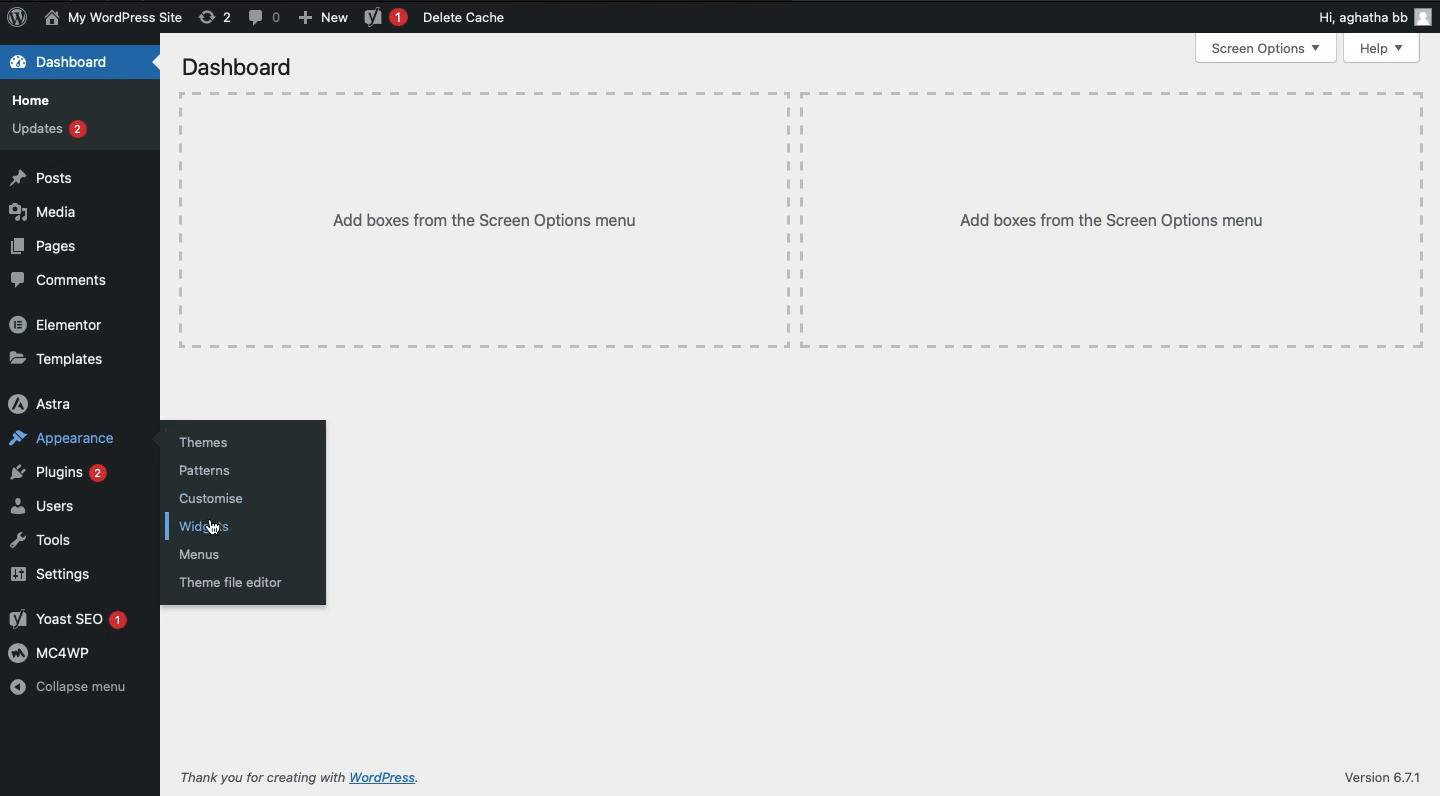 The height and width of the screenshot is (796, 1440). I want to click on logo, so click(21, 18).